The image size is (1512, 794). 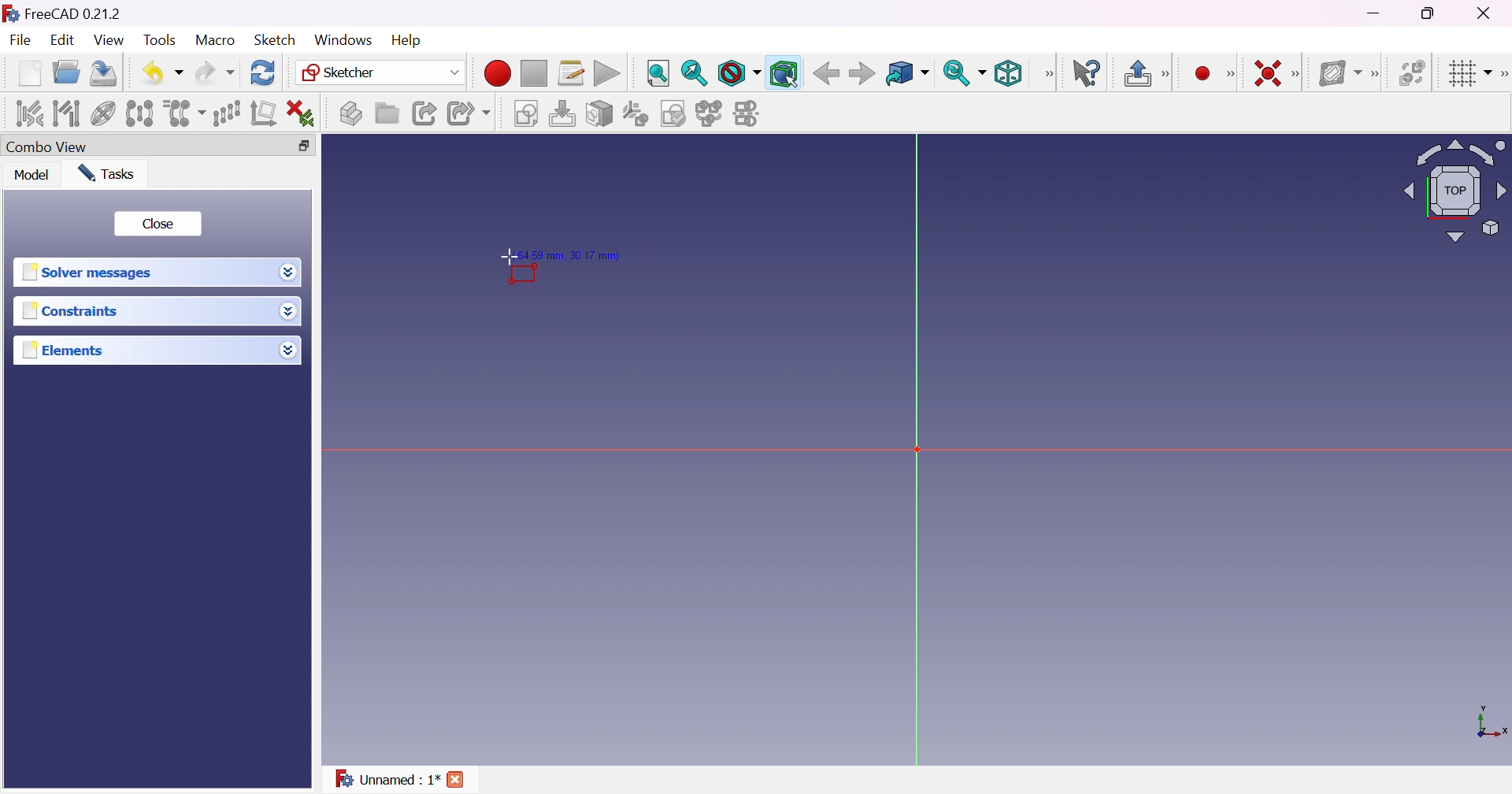 What do you see at coordinates (524, 113) in the screenshot?
I see `Create sketch` at bounding box center [524, 113].